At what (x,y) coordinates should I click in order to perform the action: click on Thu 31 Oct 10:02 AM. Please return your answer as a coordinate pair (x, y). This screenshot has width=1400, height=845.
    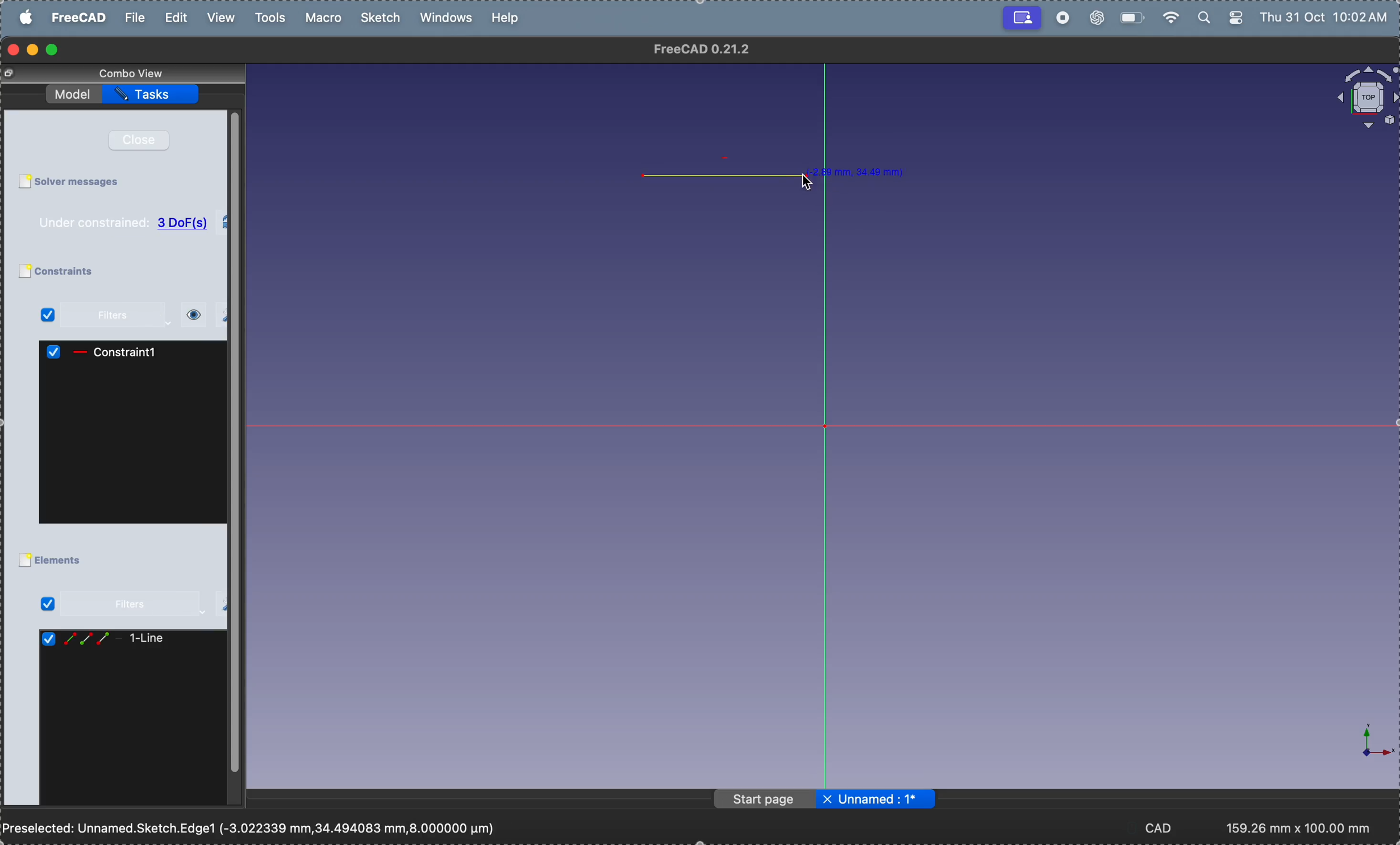
    Looking at the image, I should click on (1327, 19).